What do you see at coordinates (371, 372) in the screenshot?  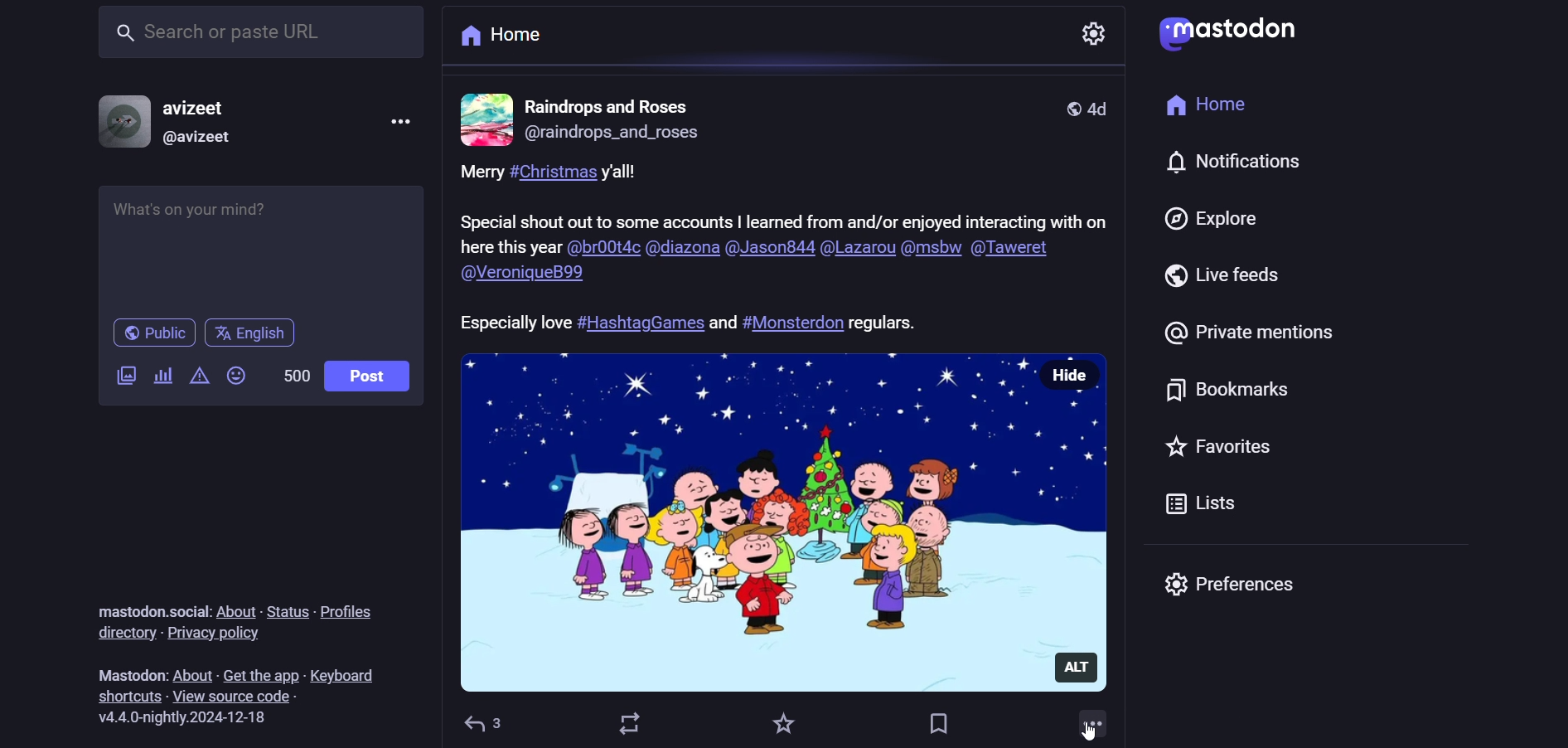 I see `post` at bounding box center [371, 372].